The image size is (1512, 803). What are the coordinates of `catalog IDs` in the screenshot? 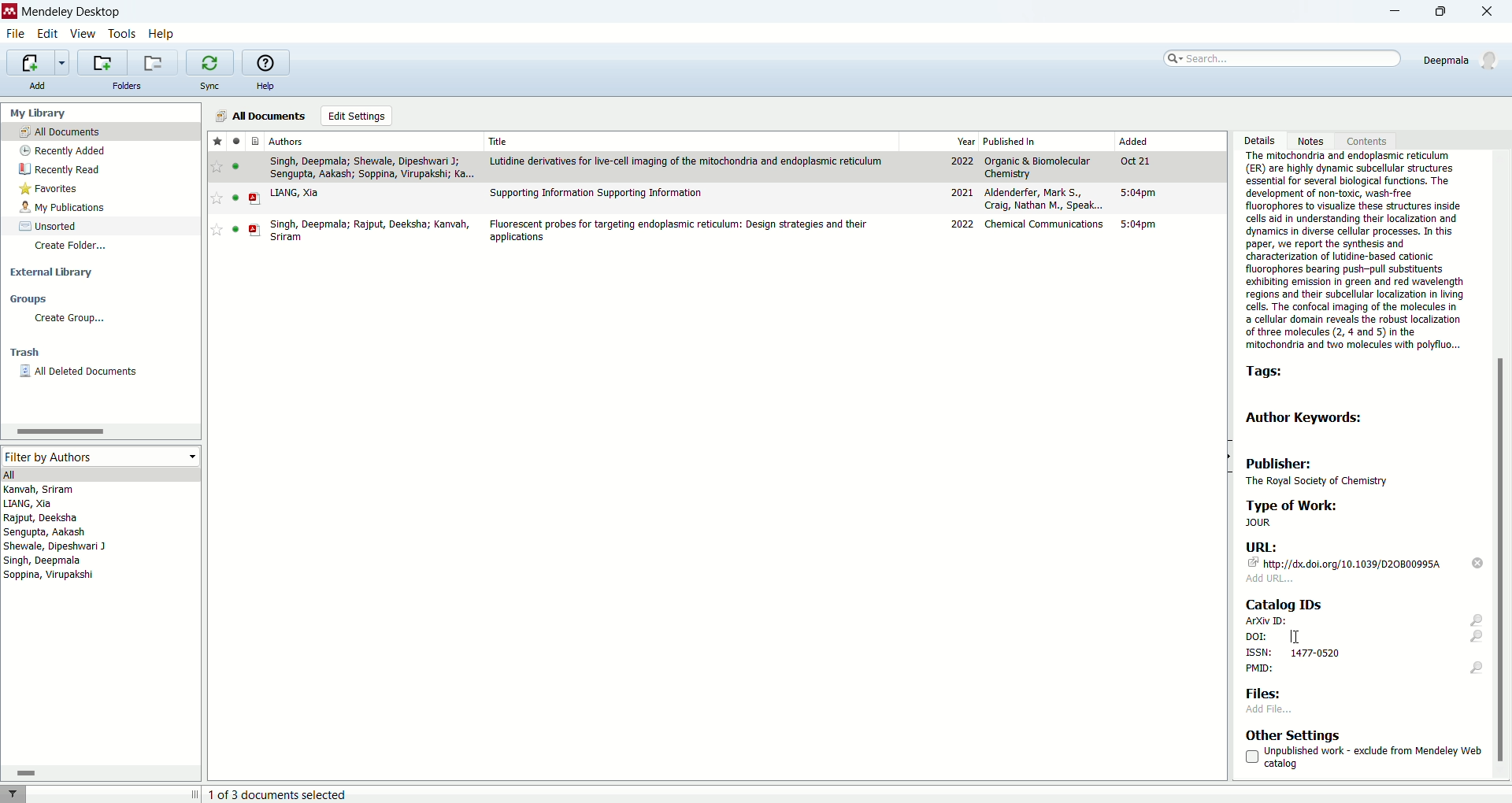 It's located at (1282, 603).